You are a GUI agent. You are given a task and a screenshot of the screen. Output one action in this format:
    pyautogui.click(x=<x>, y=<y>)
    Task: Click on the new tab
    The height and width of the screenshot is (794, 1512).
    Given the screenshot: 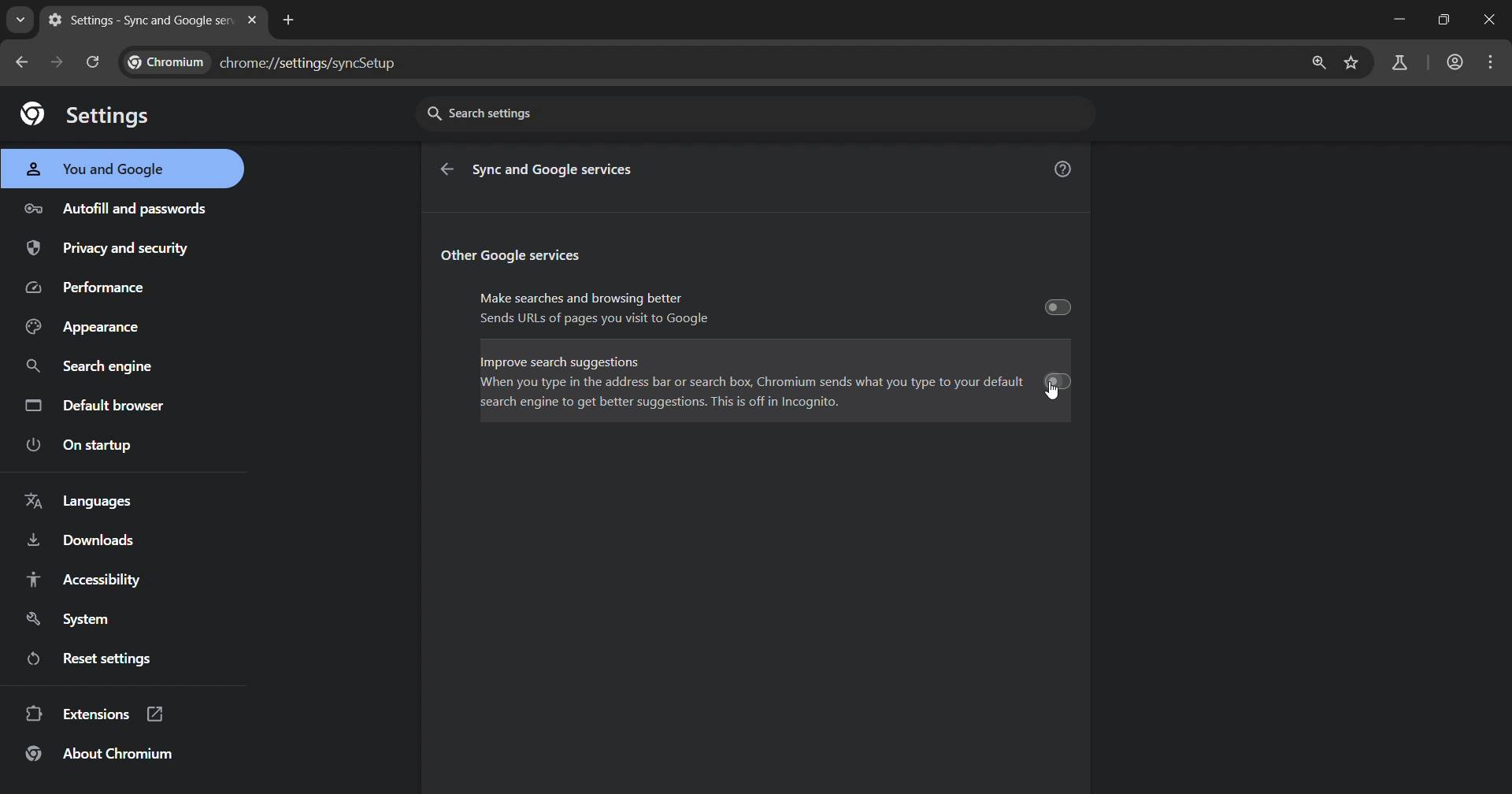 What is the action you would take?
    pyautogui.click(x=292, y=21)
    